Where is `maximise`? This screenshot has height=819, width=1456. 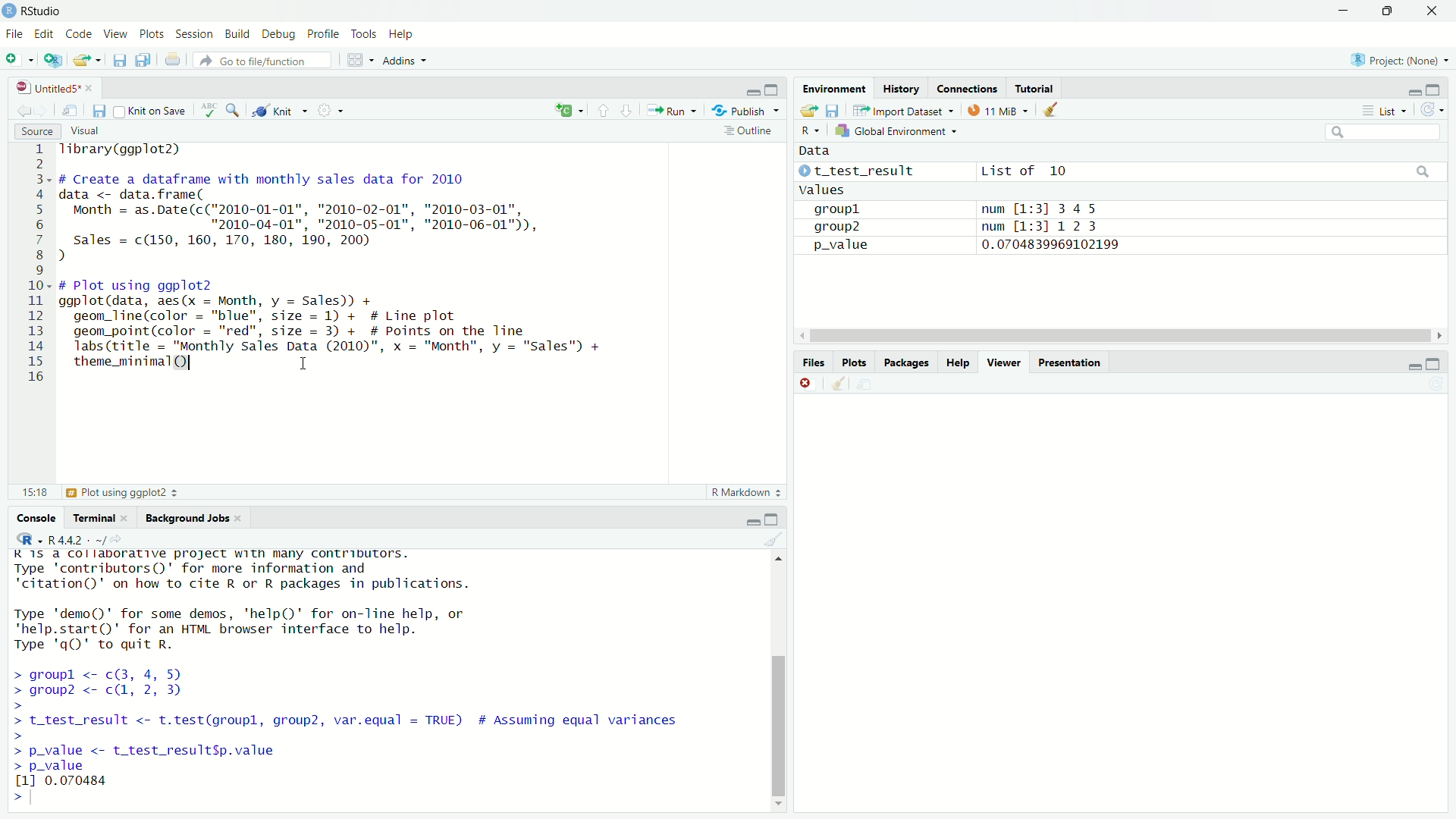
maximise is located at coordinates (771, 88).